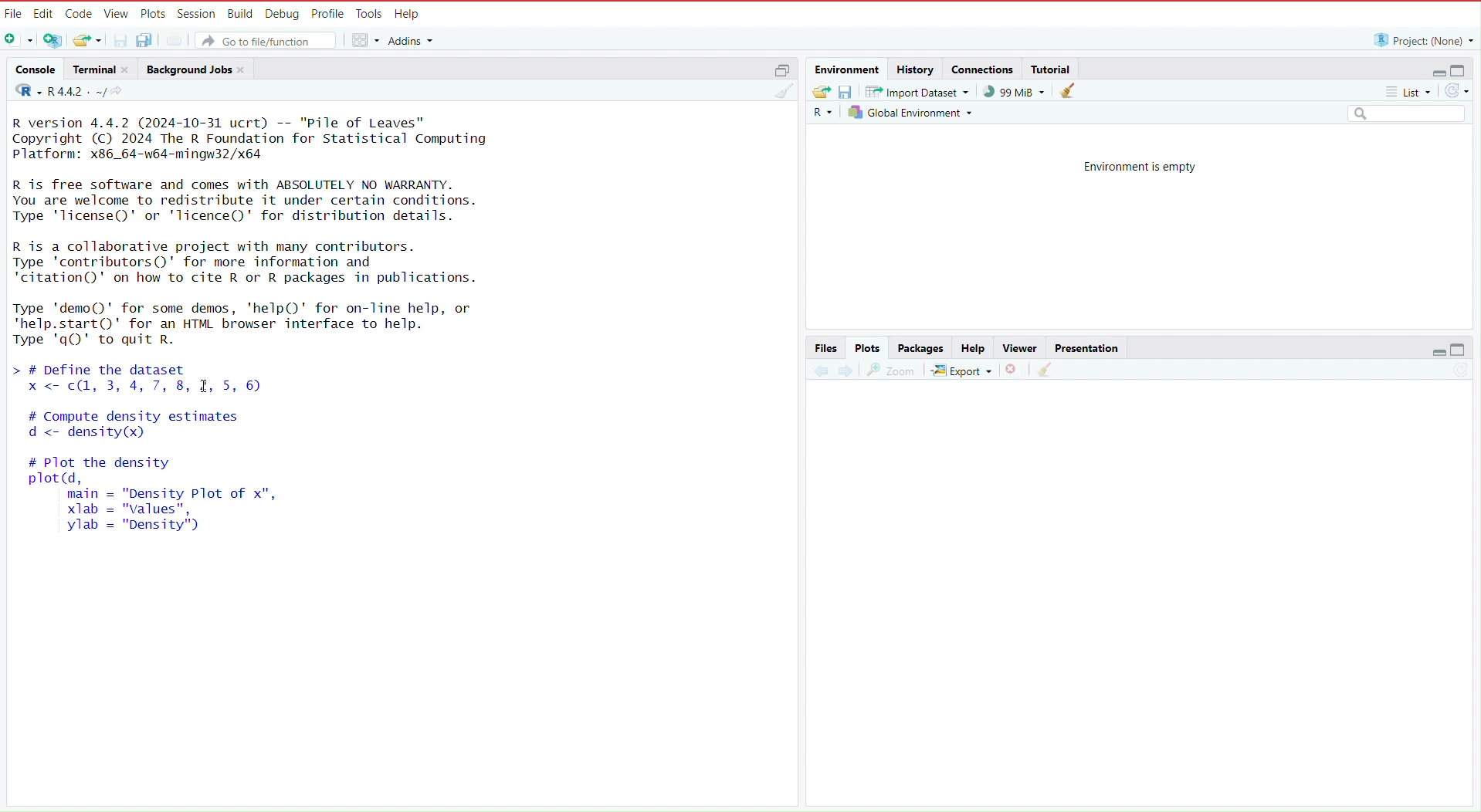  What do you see at coordinates (253, 199) in the screenshot?
I see `R is free software and comes with ABSOLUTELY NO WARRANTY.
You are welcome to redistribute it under certain conditions.
Type 'license()' or 'Ticence()' for distribution details.` at bounding box center [253, 199].